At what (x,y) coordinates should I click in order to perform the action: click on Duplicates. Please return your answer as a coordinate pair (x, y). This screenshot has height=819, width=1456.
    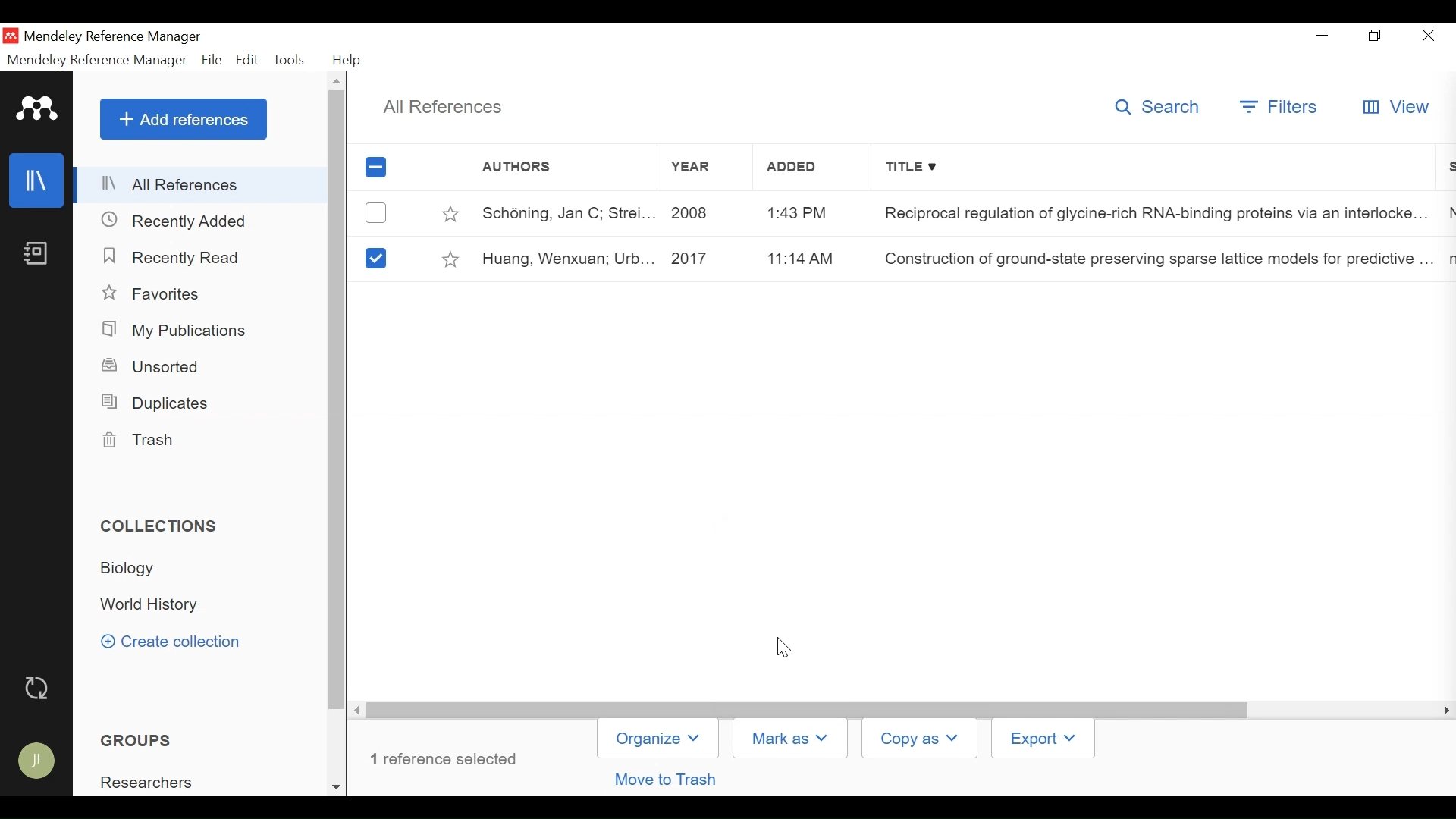
    Looking at the image, I should click on (158, 403).